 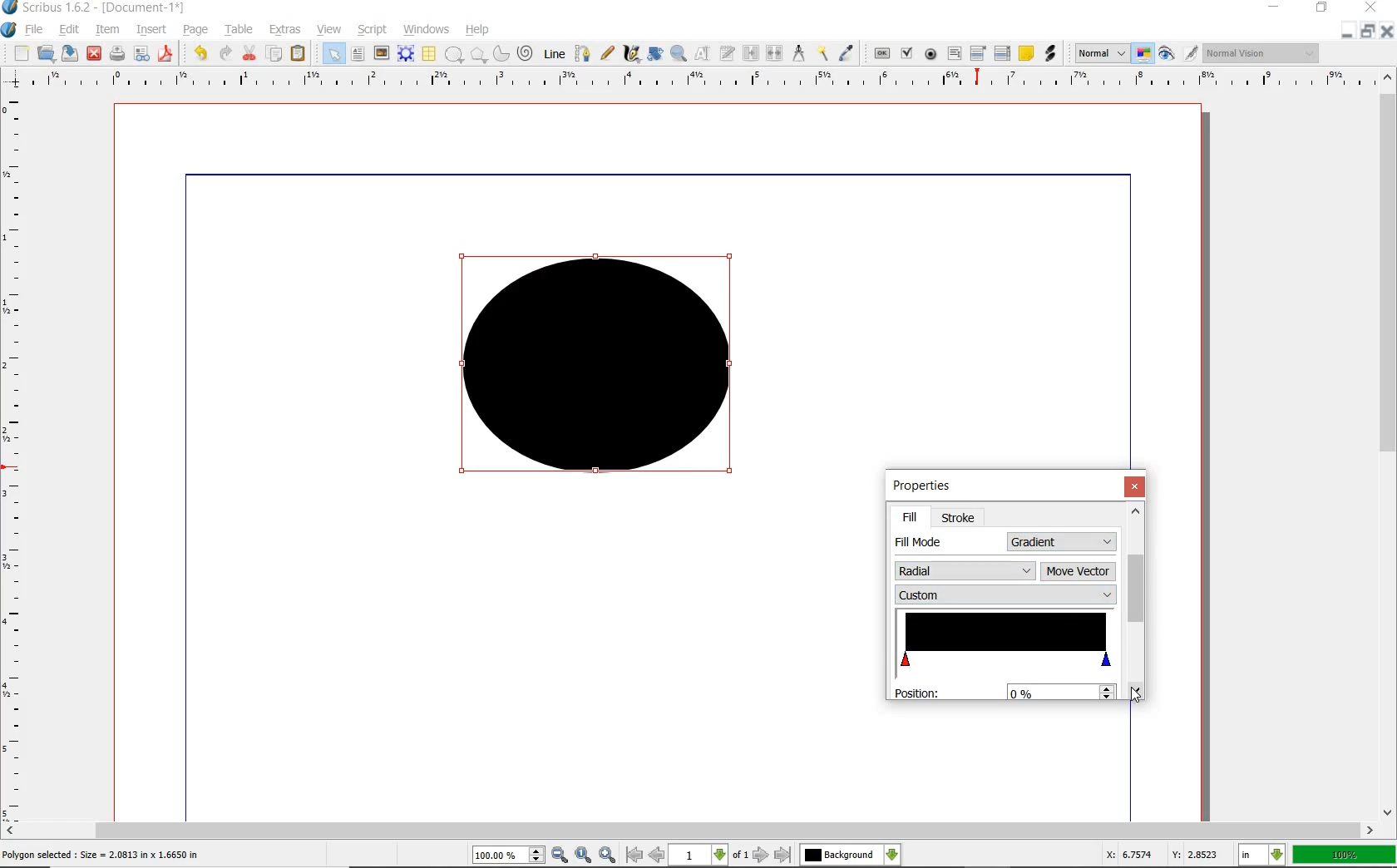 I want to click on ITEM, so click(x=108, y=28).